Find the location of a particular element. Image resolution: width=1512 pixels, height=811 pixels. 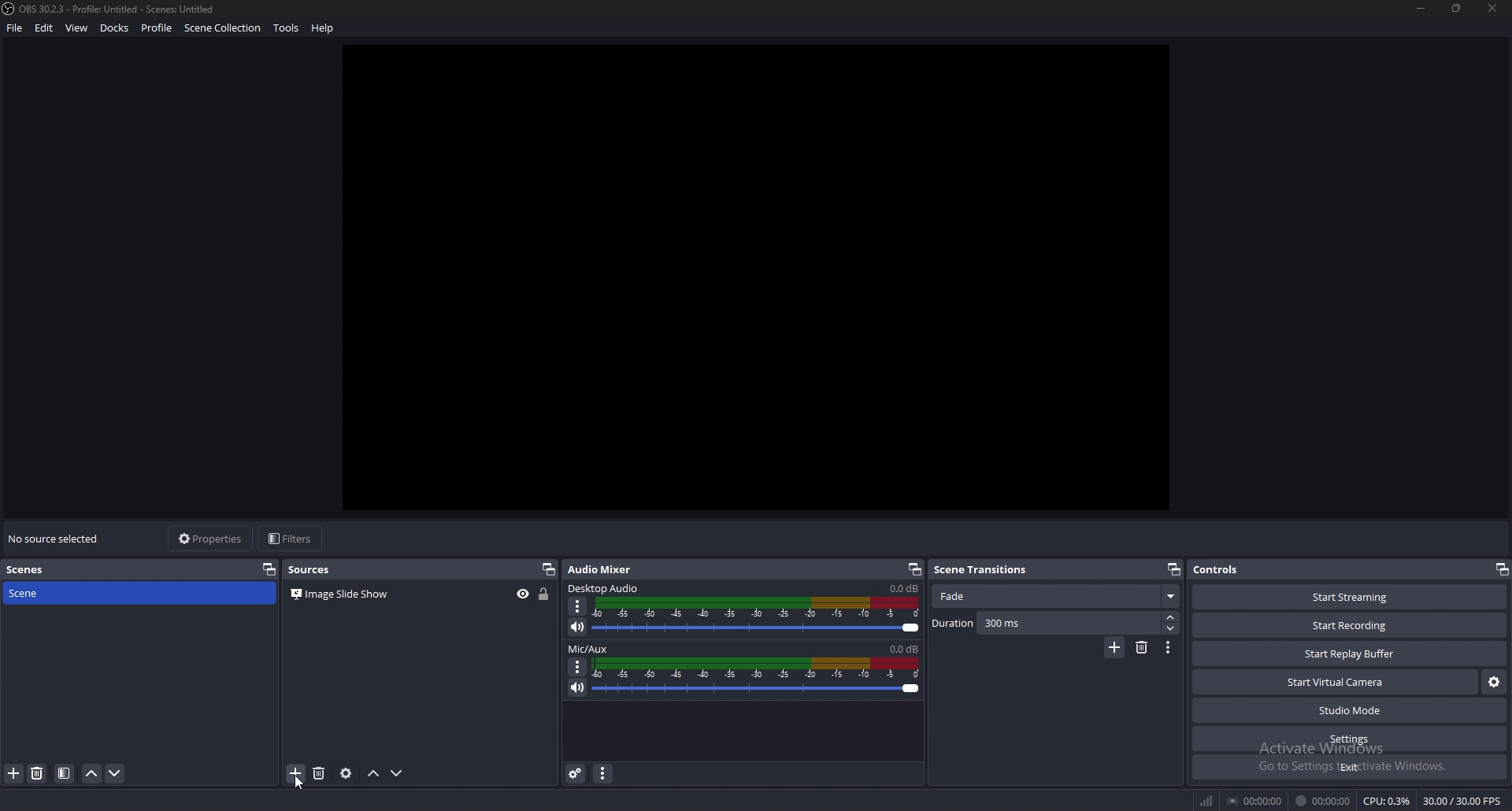

add transition is located at coordinates (1115, 647).